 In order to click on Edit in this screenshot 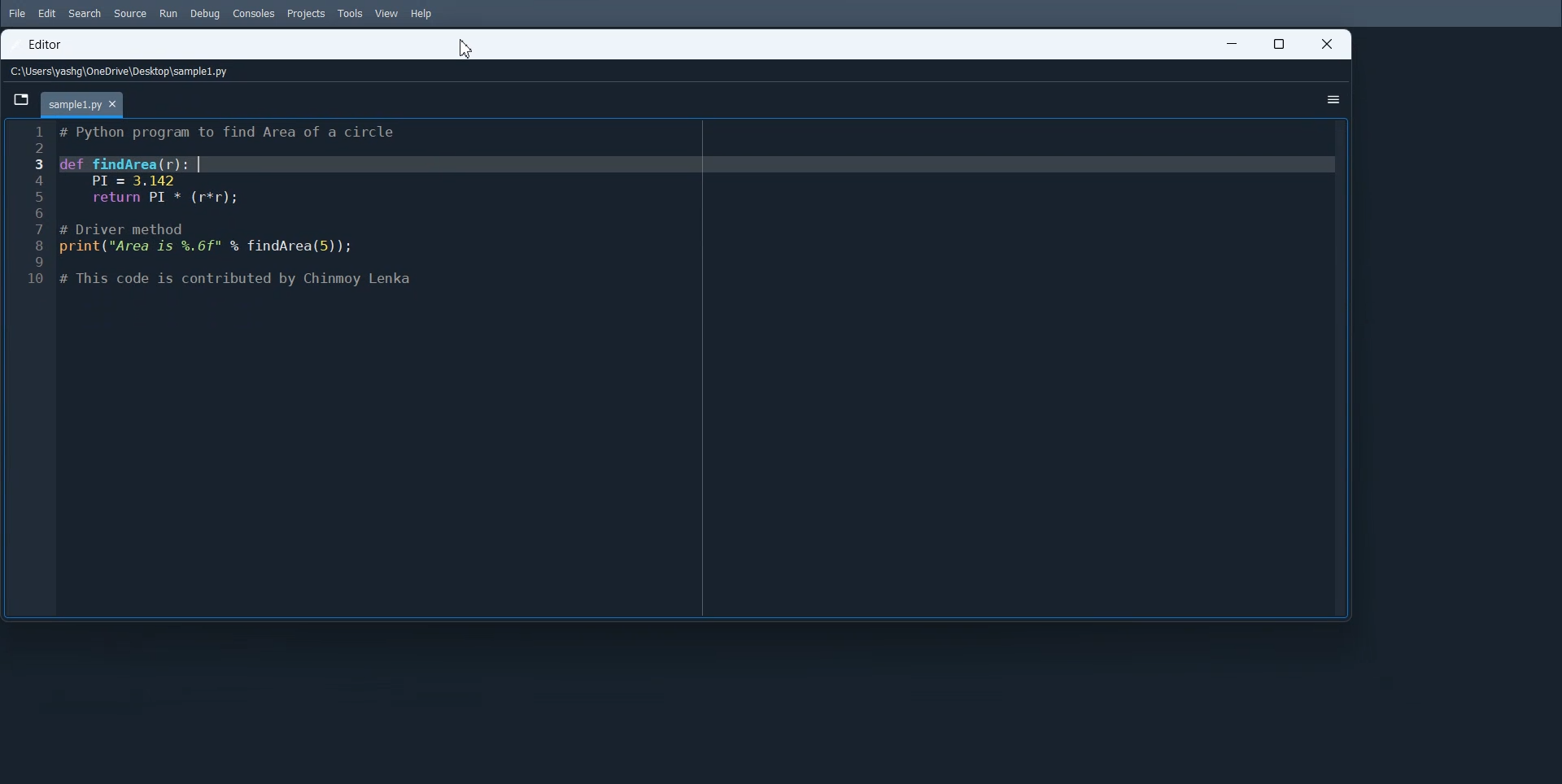, I will do `click(46, 14)`.